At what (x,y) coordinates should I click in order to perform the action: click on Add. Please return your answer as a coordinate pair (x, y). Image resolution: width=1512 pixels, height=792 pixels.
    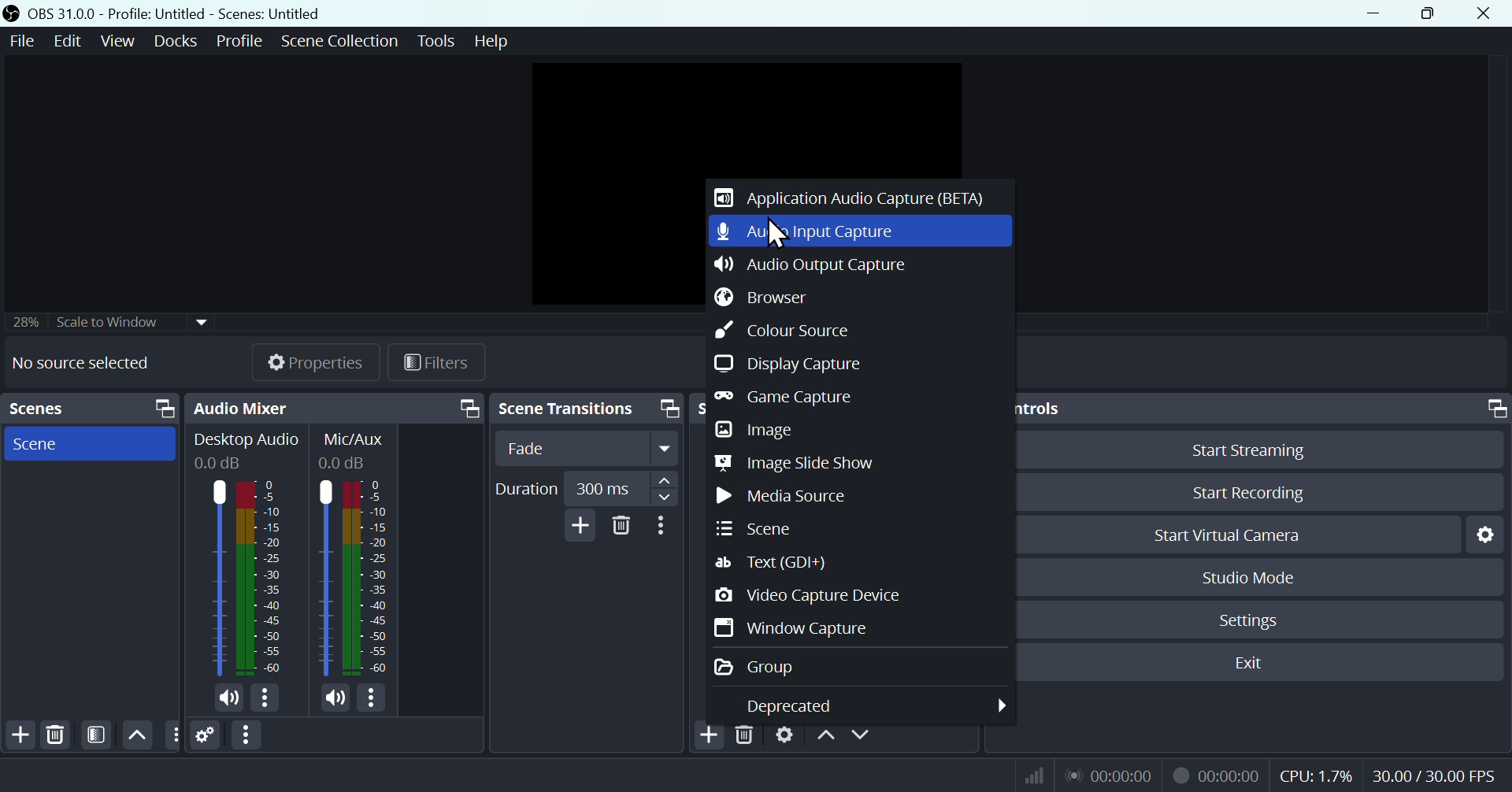
    Looking at the image, I should click on (577, 525).